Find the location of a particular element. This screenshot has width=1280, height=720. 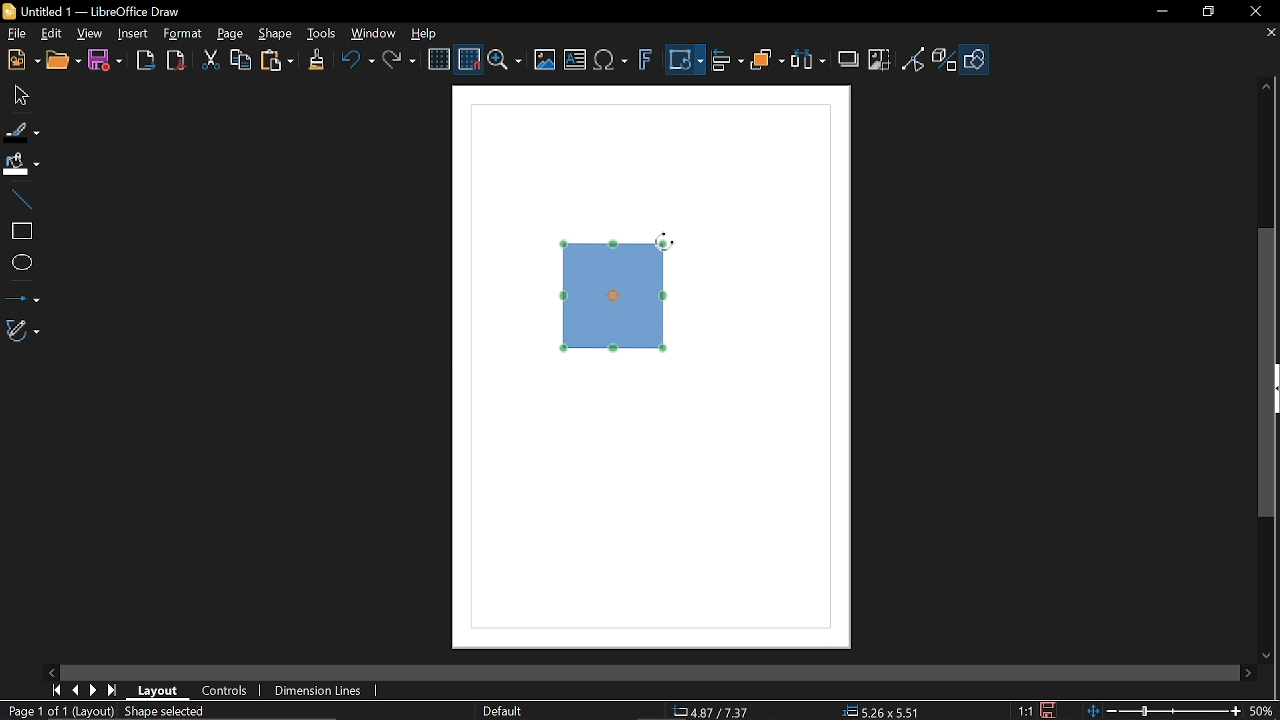

1:1 (Scaling factor) is located at coordinates (1026, 712).